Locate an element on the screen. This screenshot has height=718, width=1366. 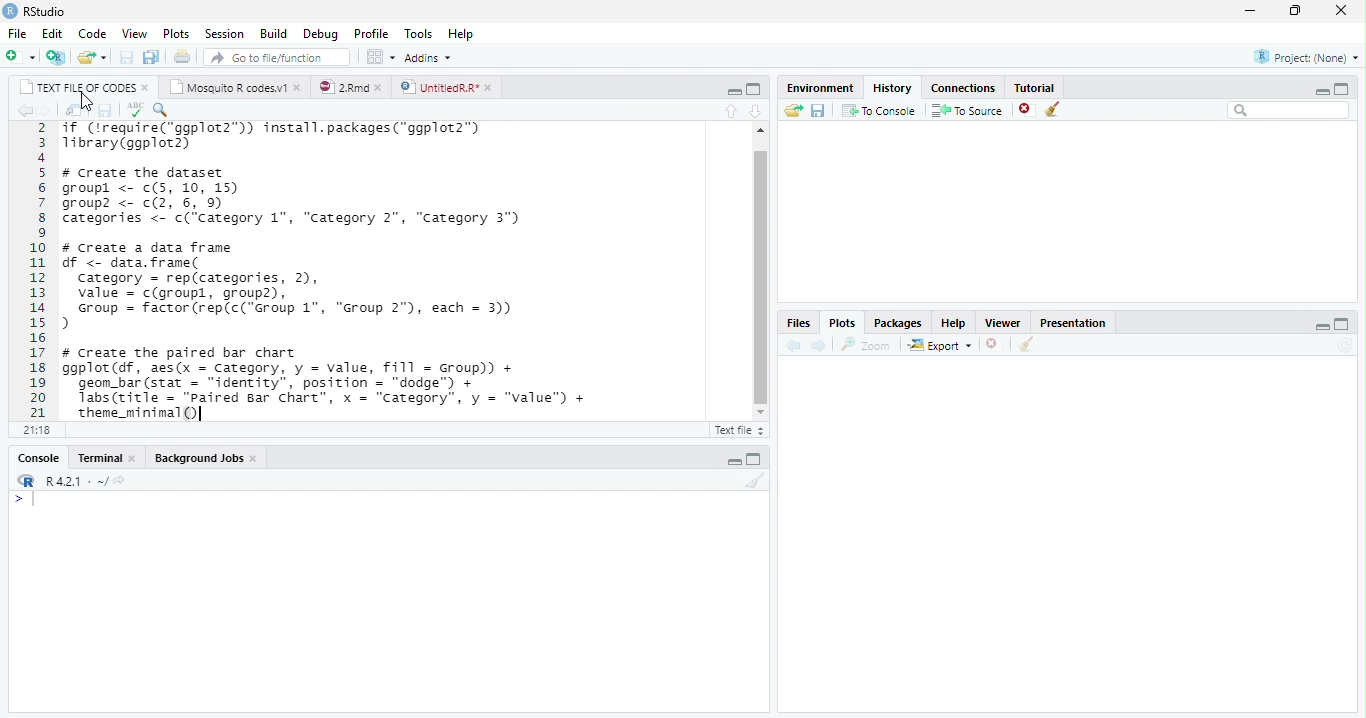
plots is located at coordinates (846, 322).